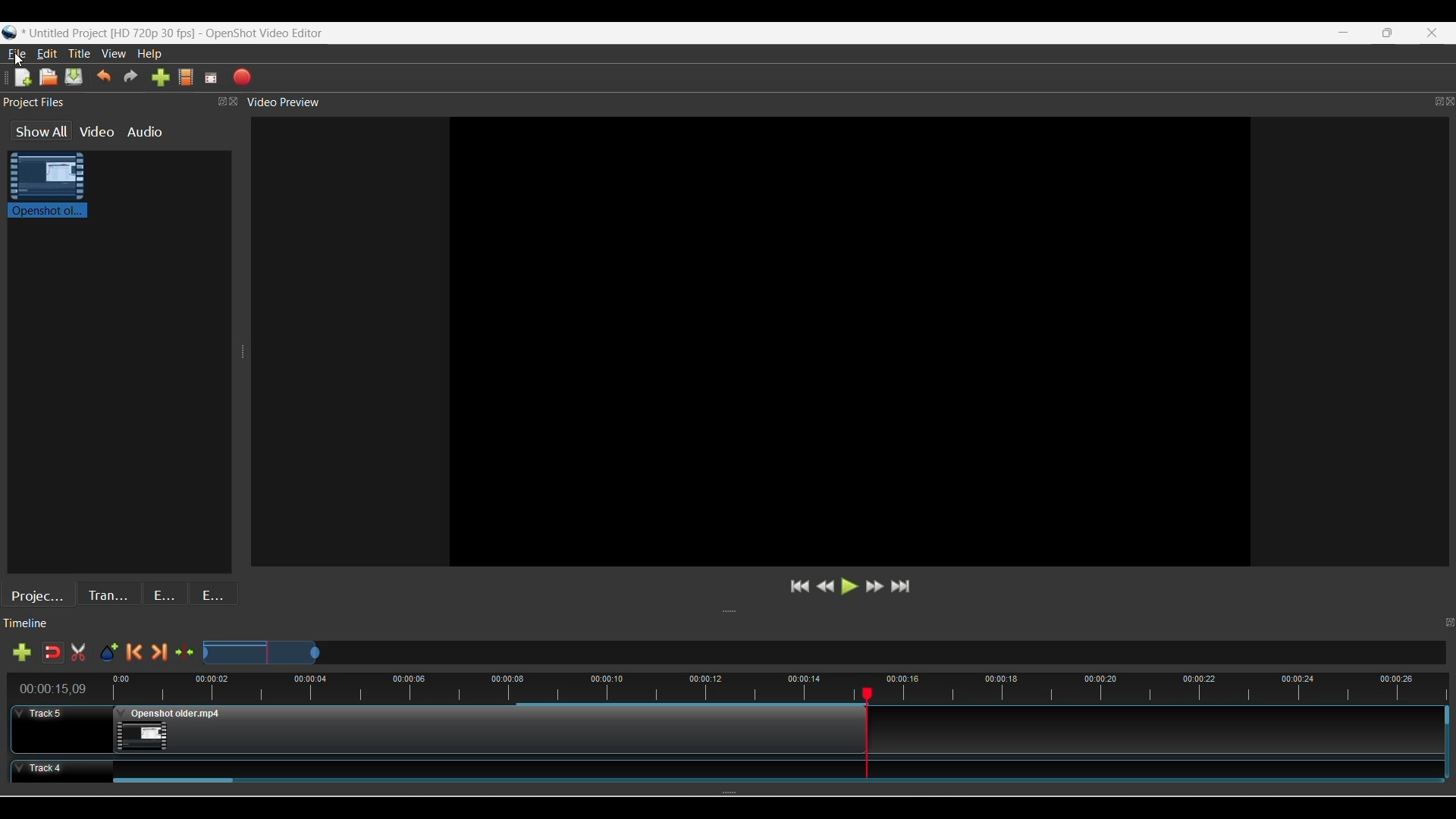 The width and height of the screenshot is (1456, 819). What do you see at coordinates (213, 593) in the screenshot?
I see `Emojis` at bounding box center [213, 593].